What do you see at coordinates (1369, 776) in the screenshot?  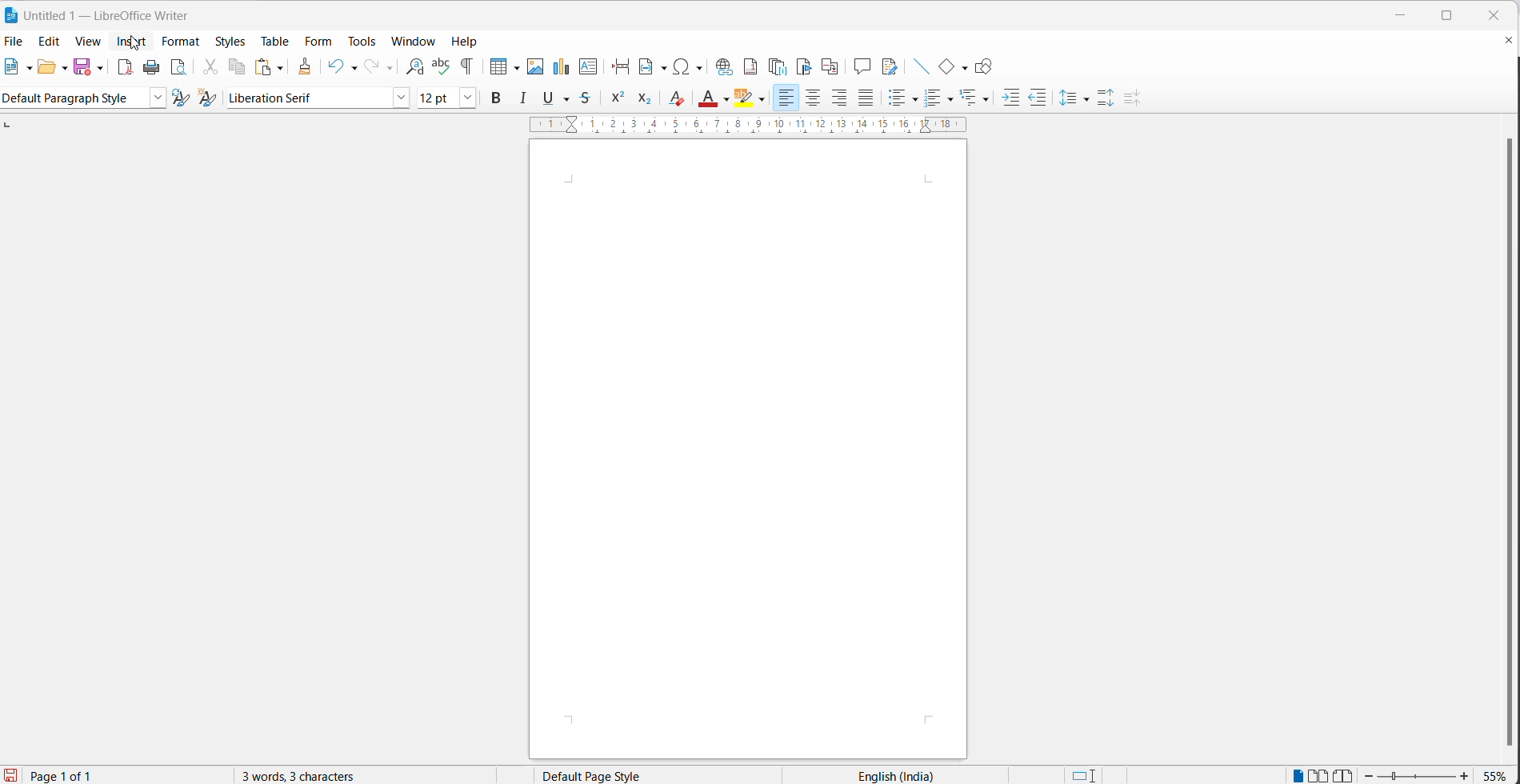 I see `zoom decrease` at bounding box center [1369, 776].